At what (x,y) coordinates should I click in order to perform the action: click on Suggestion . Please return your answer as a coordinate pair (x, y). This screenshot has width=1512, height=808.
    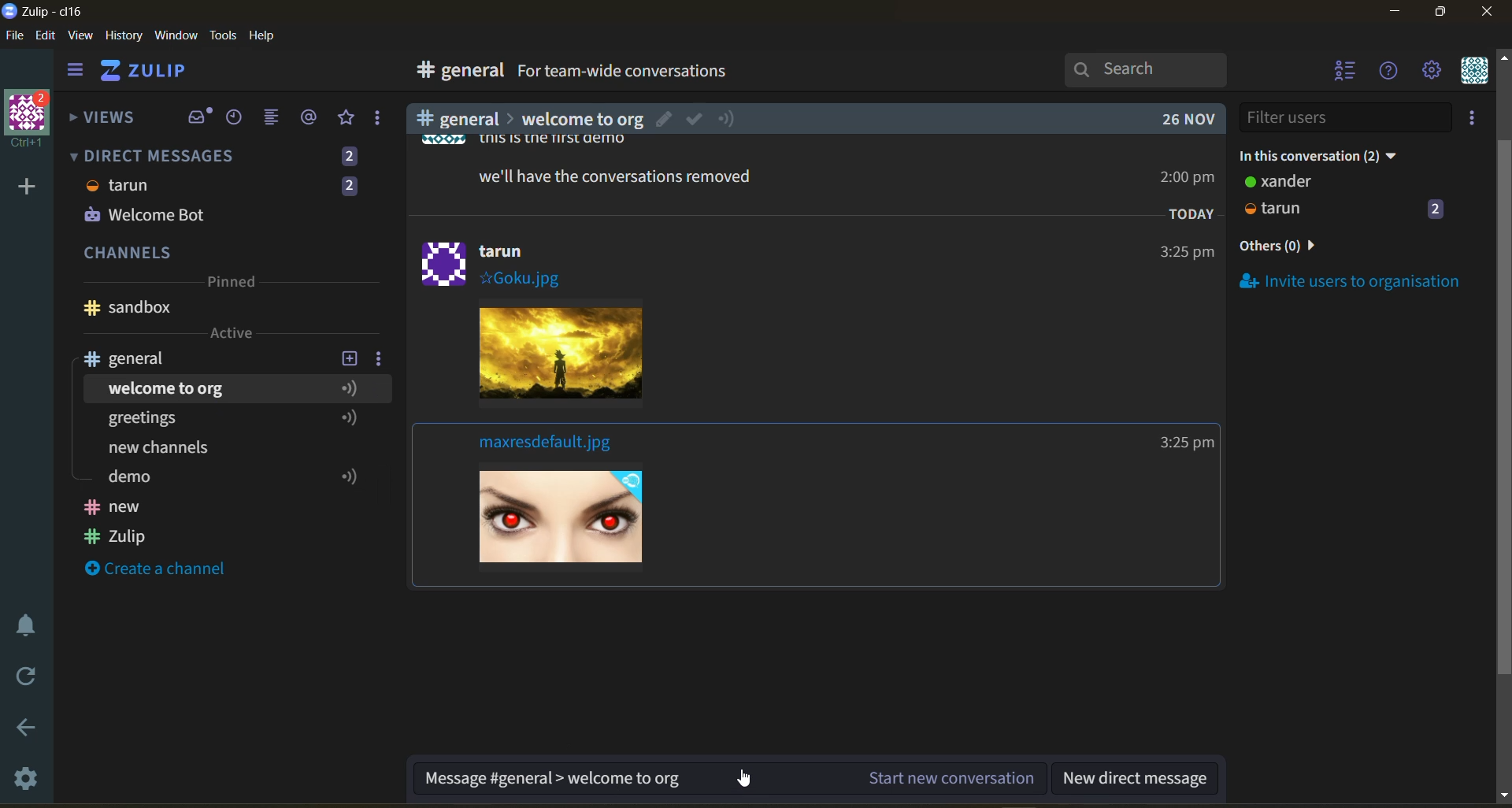
    Looking at the image, I should click on (556, 779).